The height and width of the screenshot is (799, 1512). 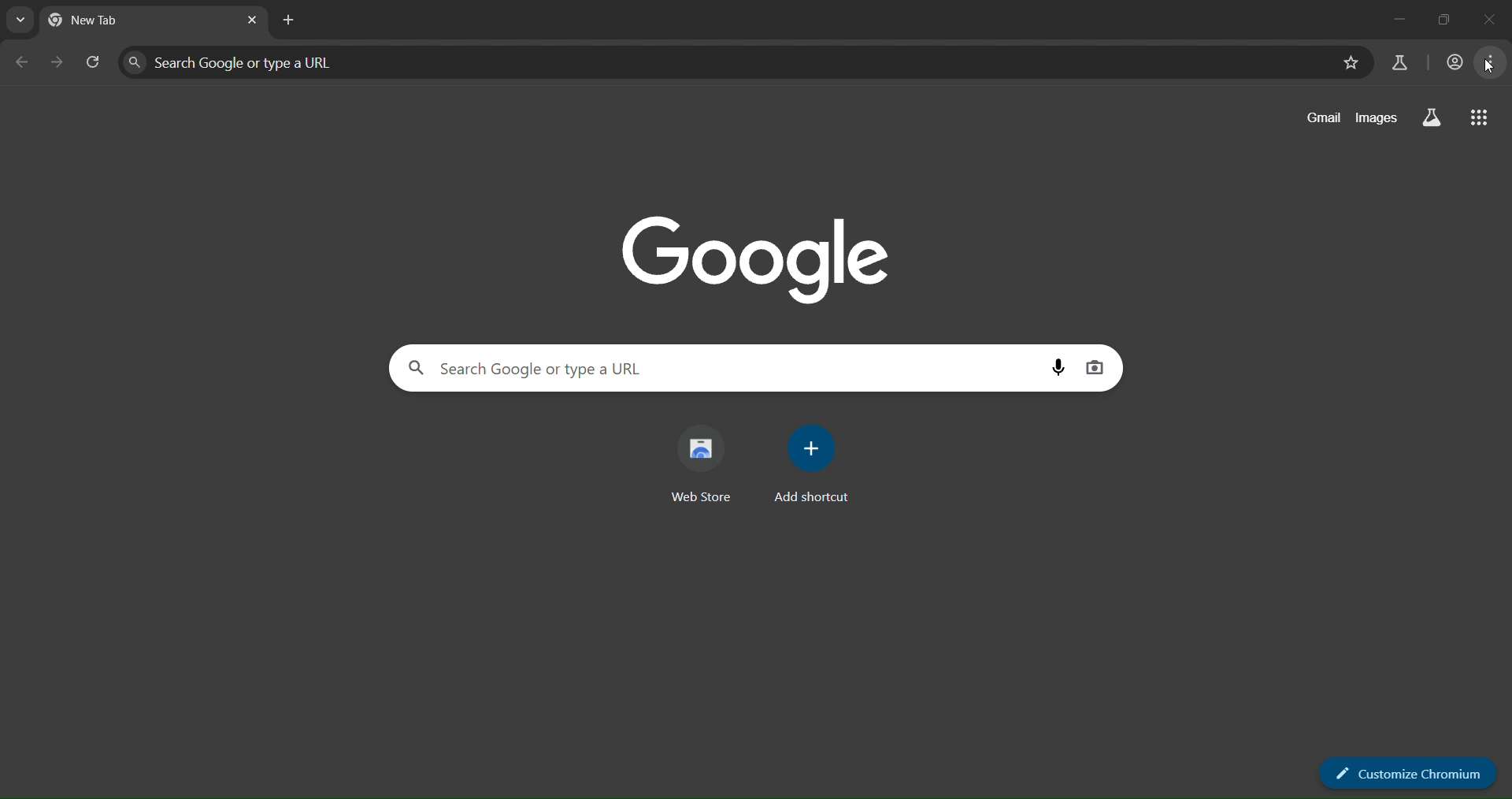 I want to click on new tab, so click(x=99, y=22).